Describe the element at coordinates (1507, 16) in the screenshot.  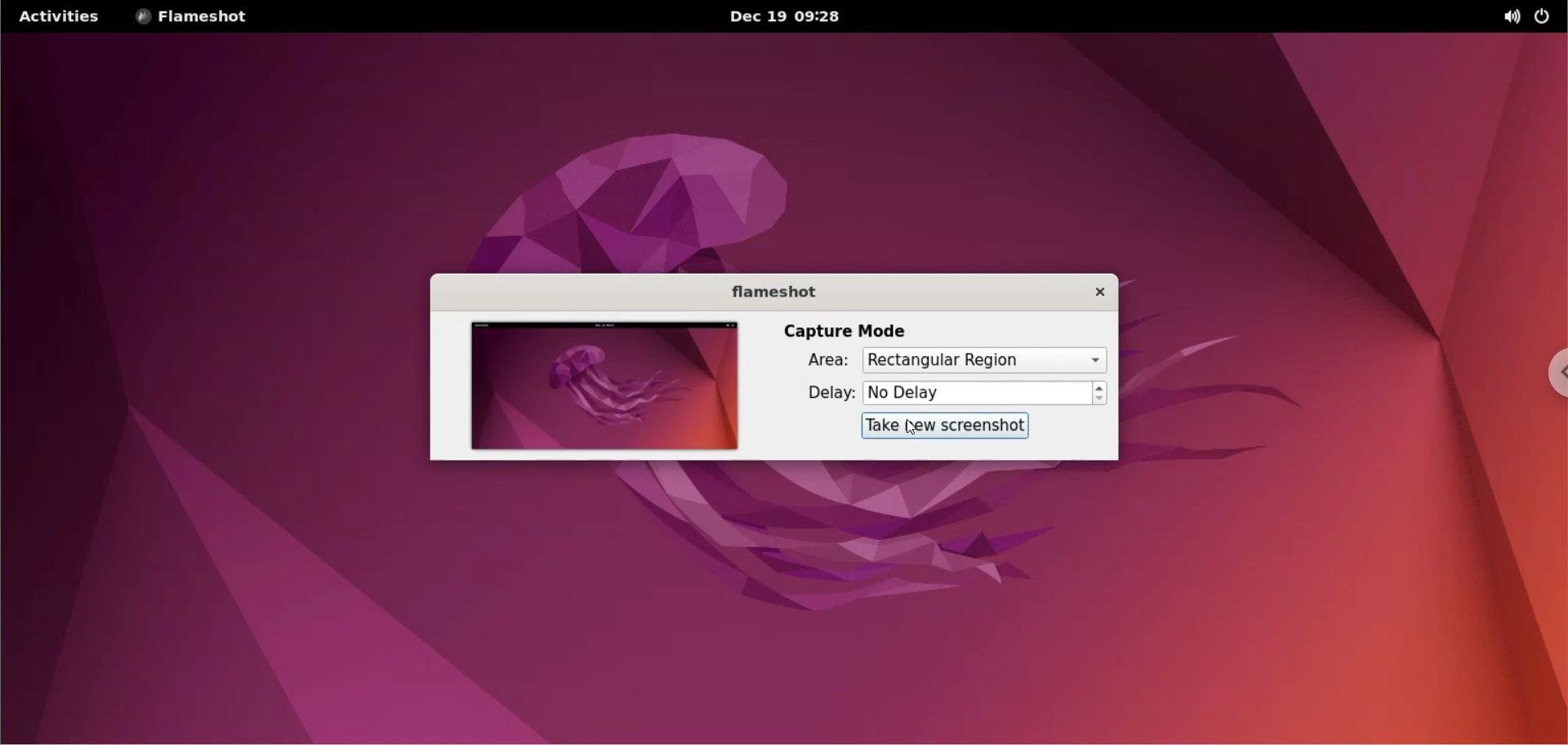
I see `sound options ` at that location.